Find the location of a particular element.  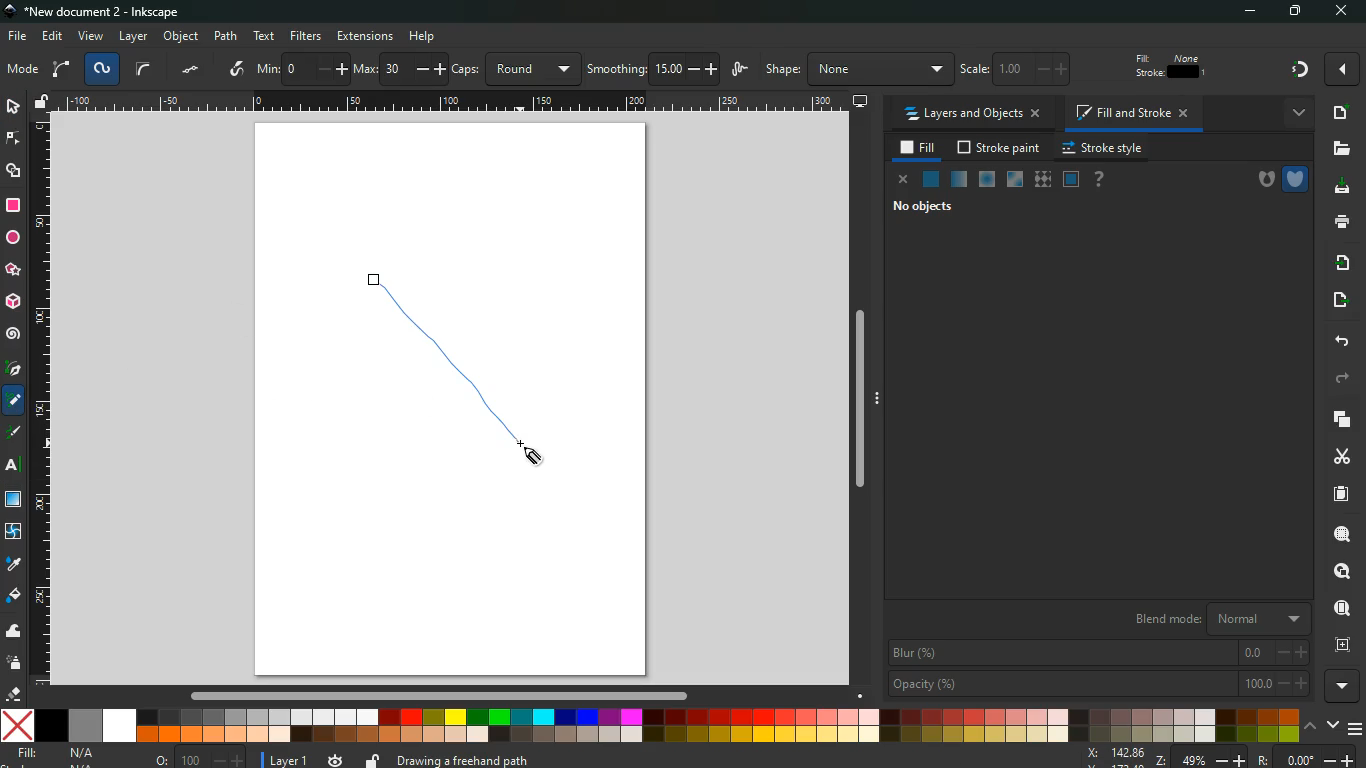

desktop is located at coordinates (859, 102).